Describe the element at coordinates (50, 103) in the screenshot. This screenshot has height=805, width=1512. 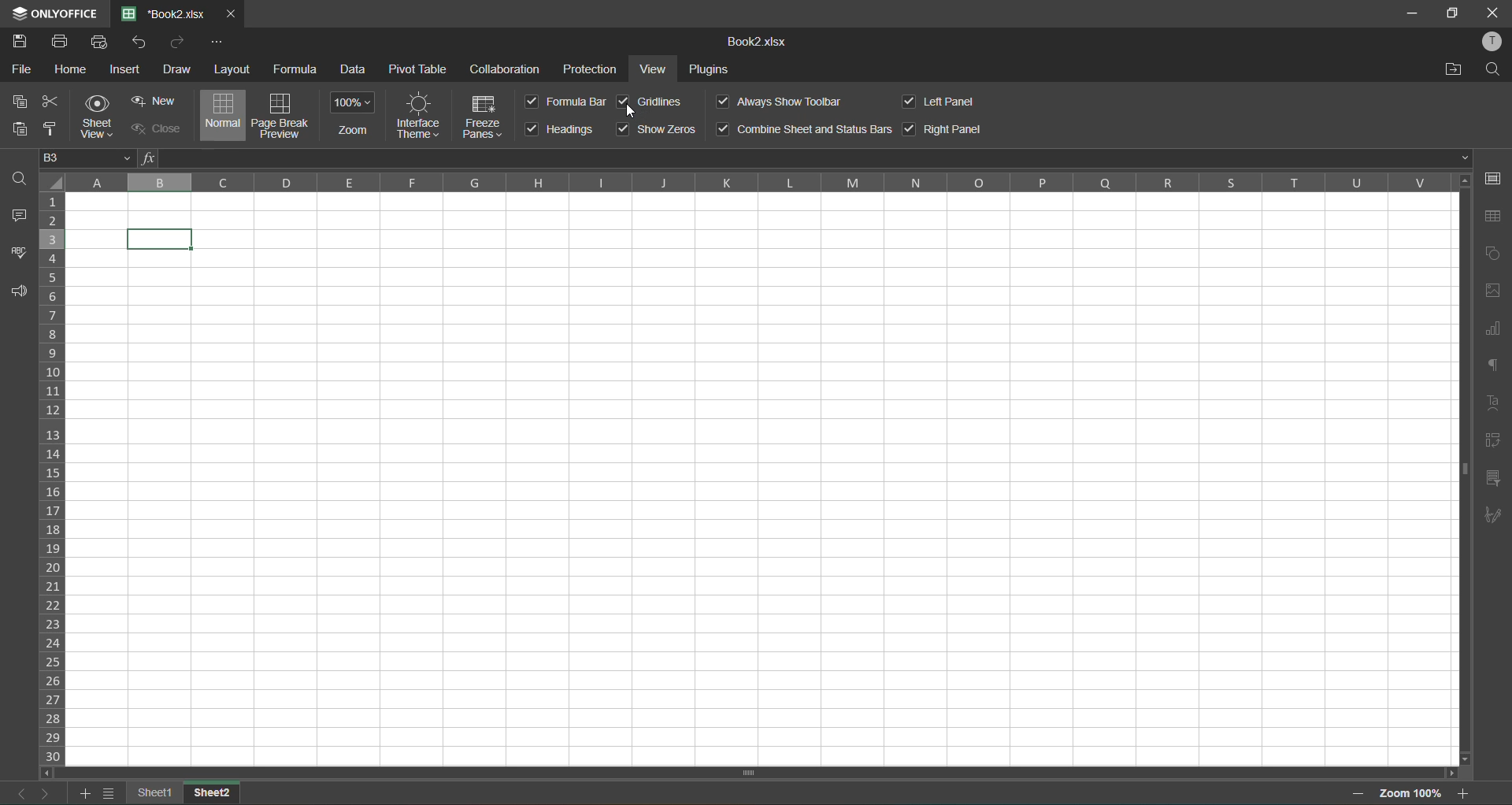
I see `cut` at that location.